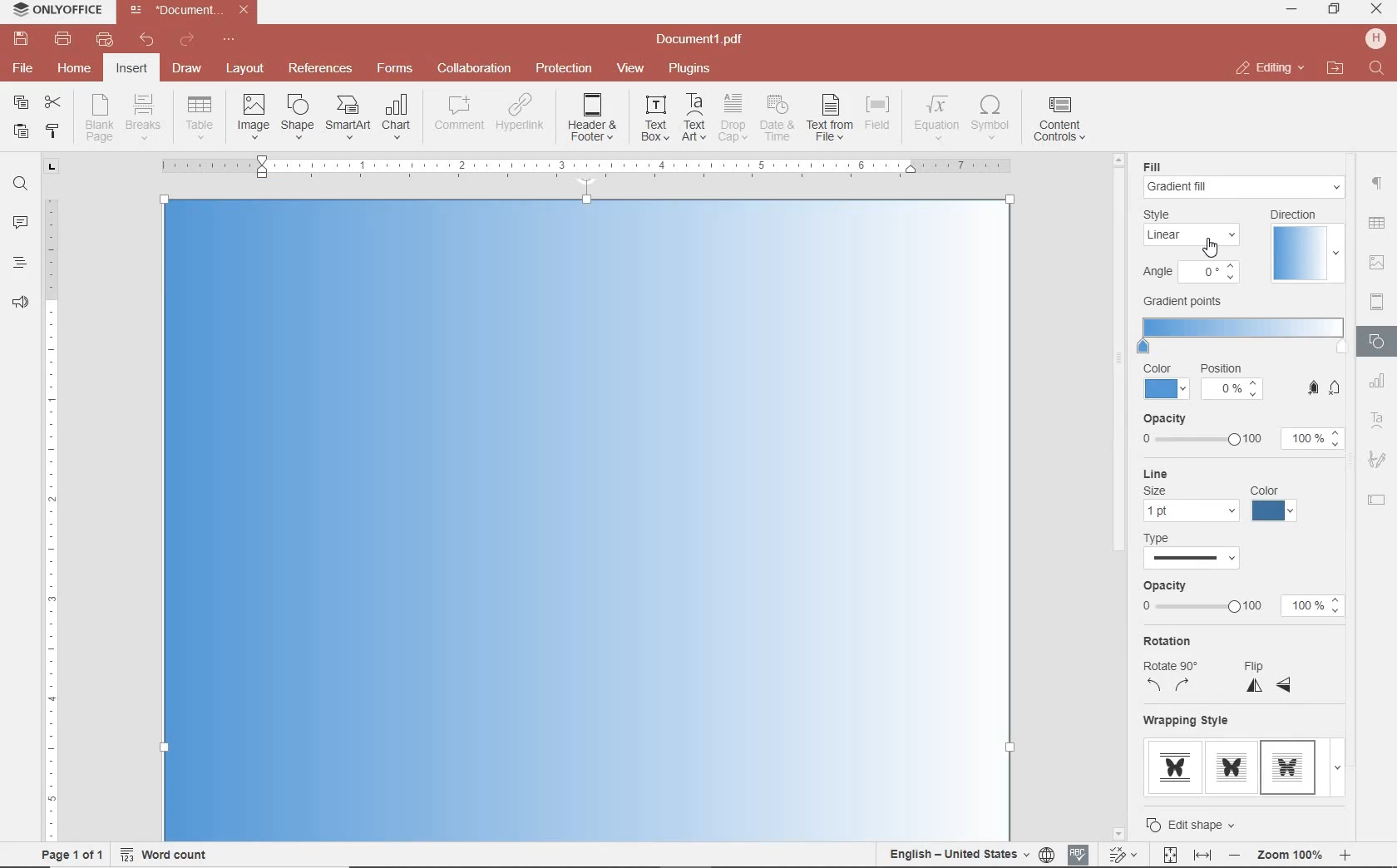 Image resolution: width=1397 pixels, height=868 pixels. I want to click on find, so click(1379, 69).